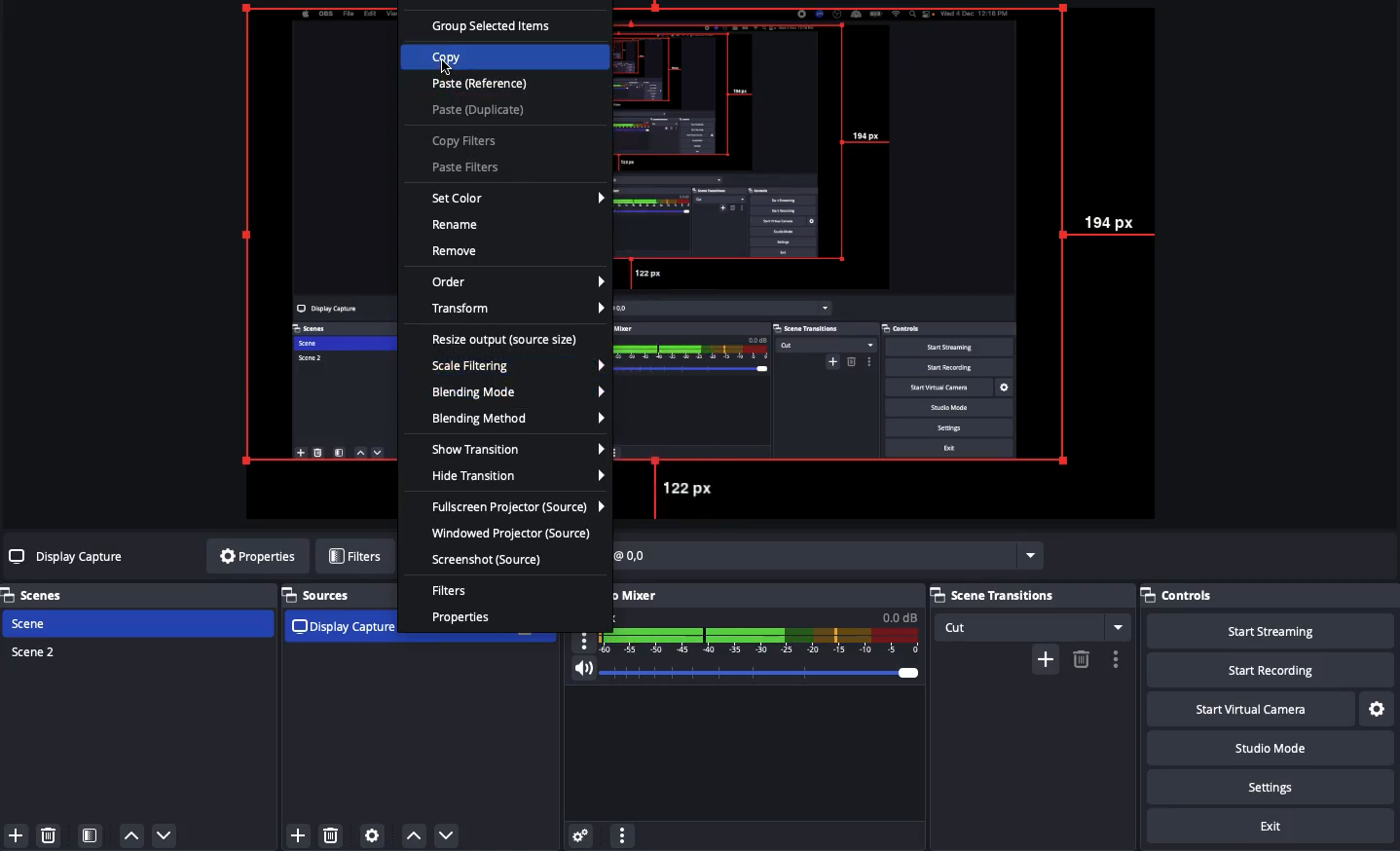 The width and height of the screenshot is (1400, 851). I want to click on Filters, so click(354, 554).